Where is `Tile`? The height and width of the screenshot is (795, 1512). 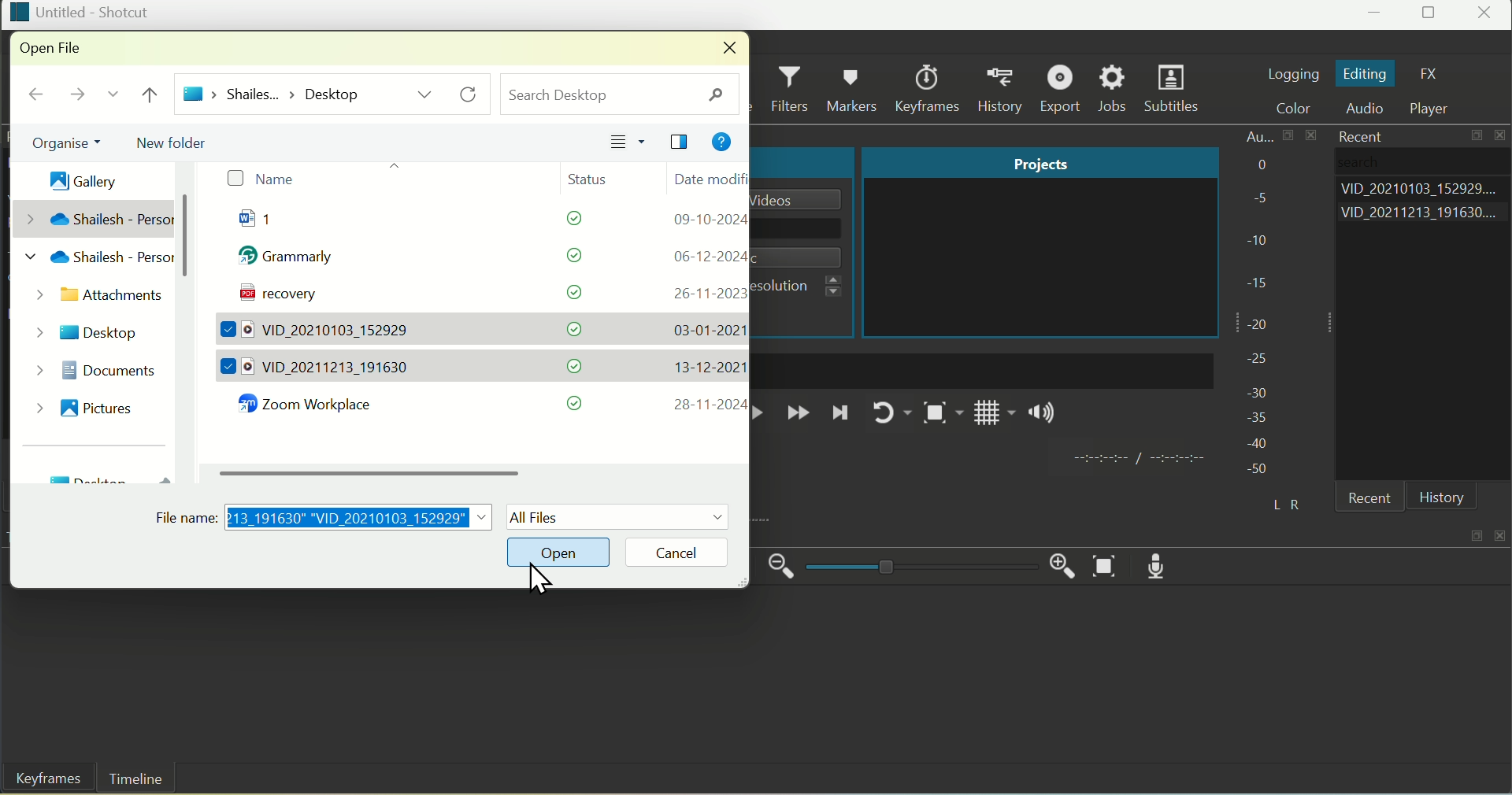 Tile is located at coordinates (682, 143).